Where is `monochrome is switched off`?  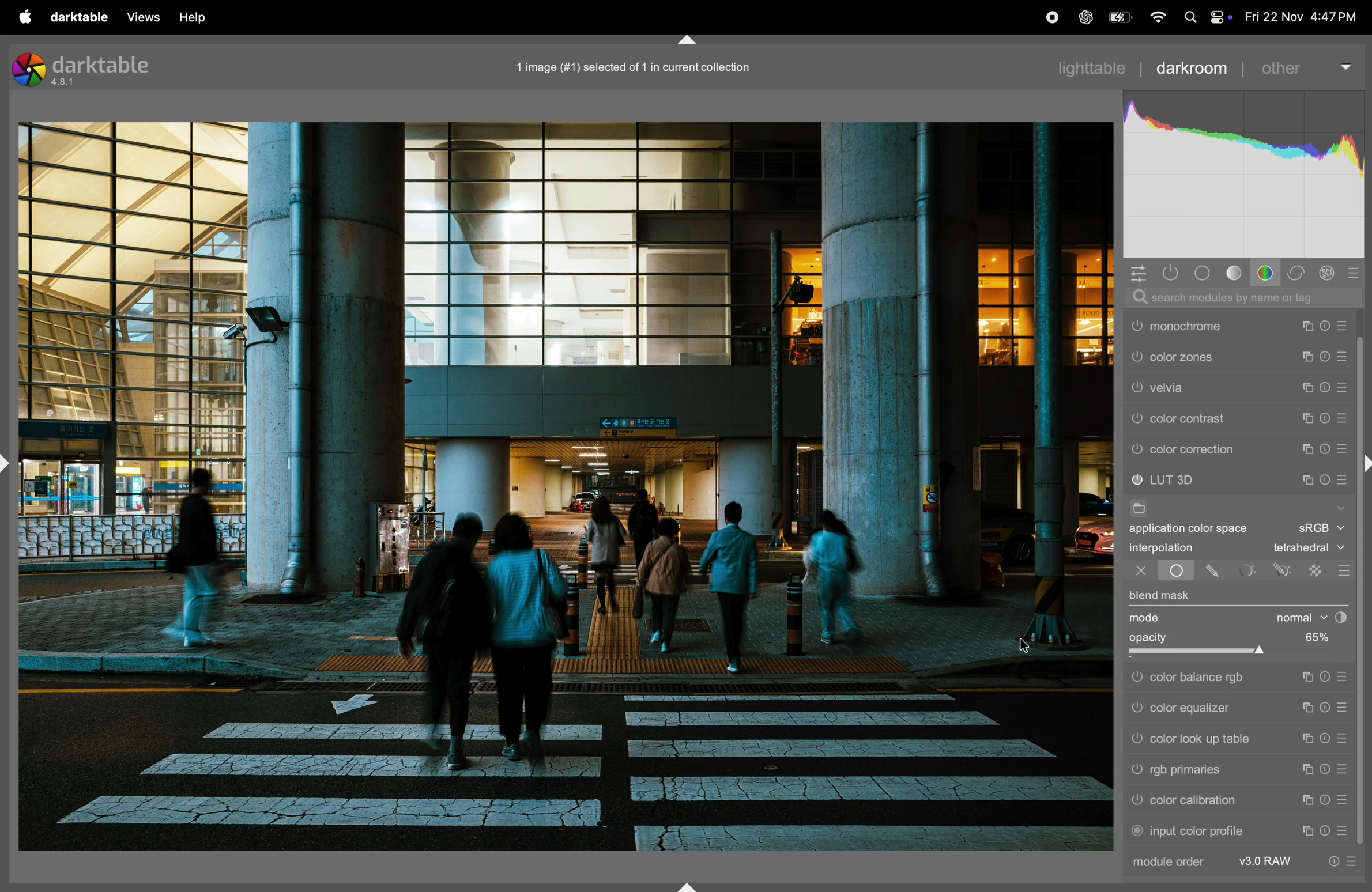
monochrome is switched off is located at coordinates (1136, 357).